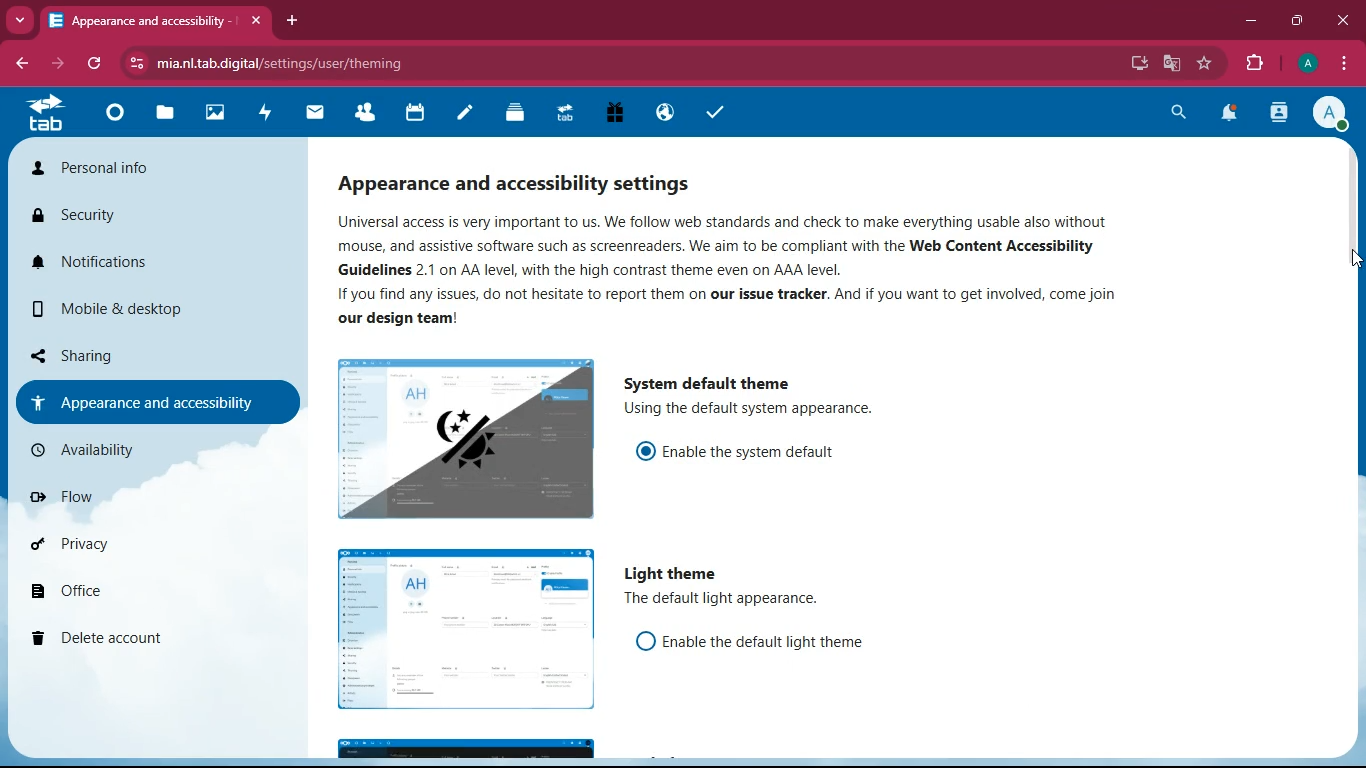 The height and width of the screenshot is (768, 1366). I want to click on notes, so click(458, 114).